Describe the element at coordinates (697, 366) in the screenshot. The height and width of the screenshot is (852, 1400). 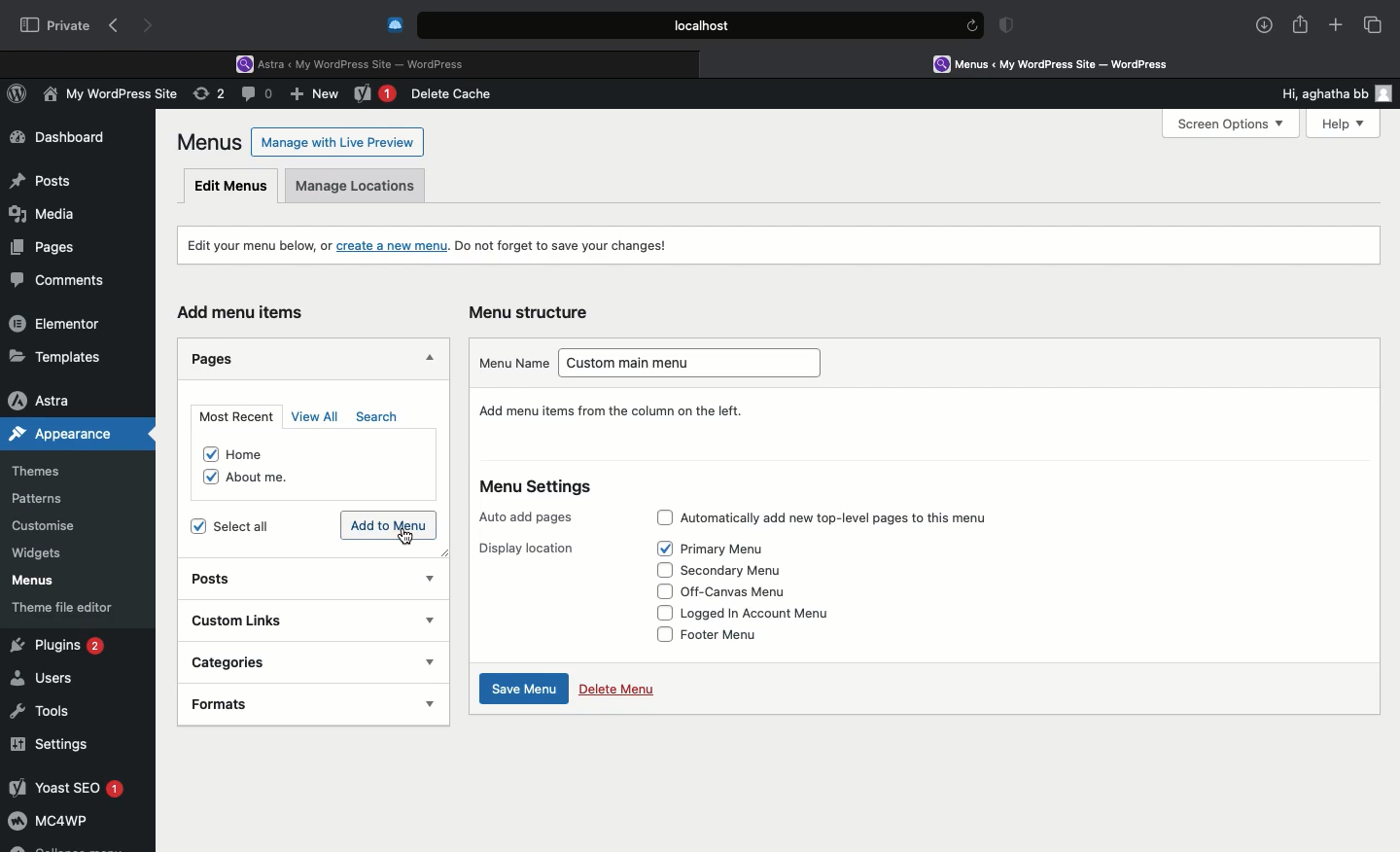
I see `Custom main menu` at that location.